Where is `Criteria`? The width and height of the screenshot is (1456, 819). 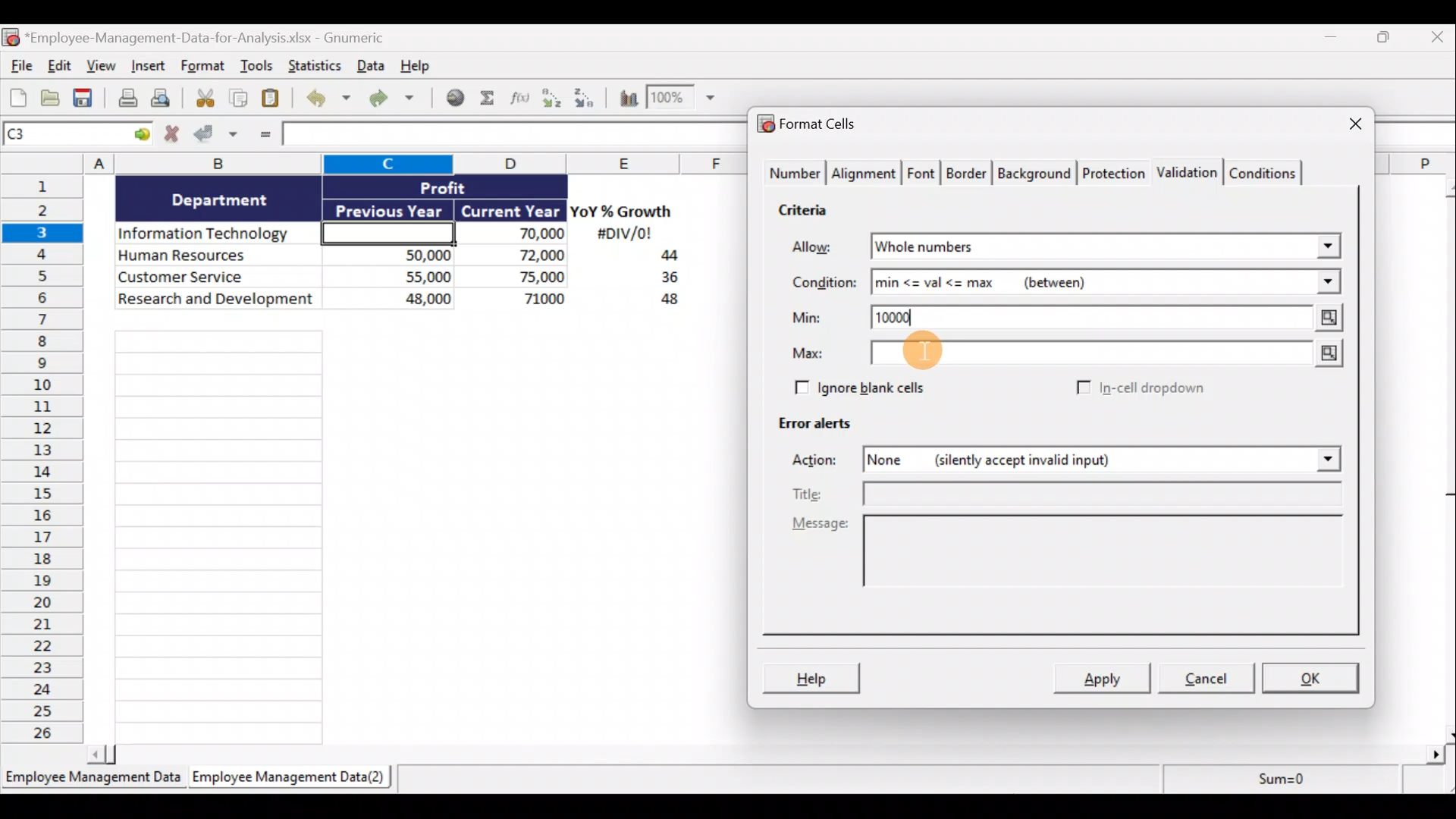
Criteria is located at coordinates (805, 212).